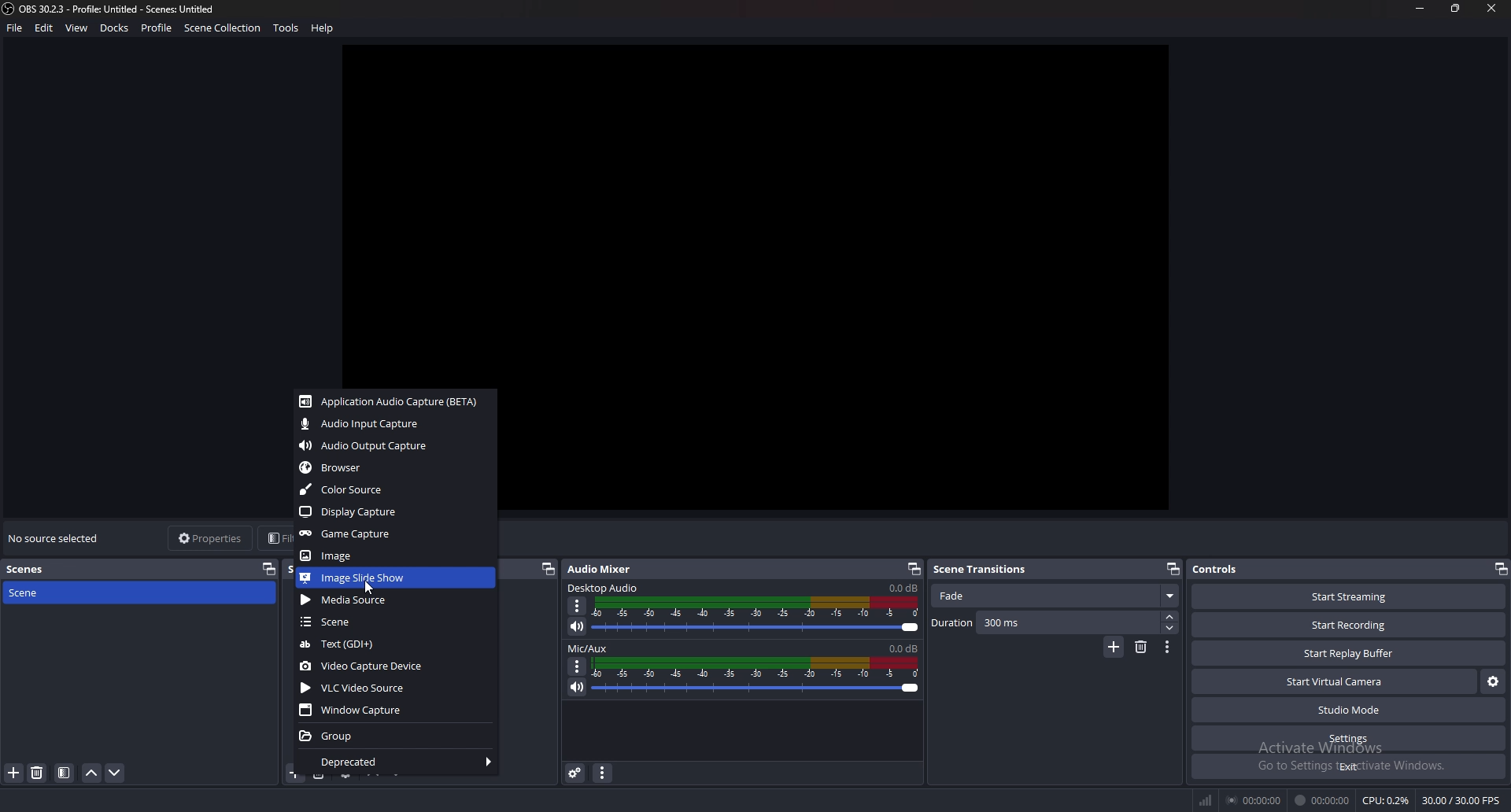 This screenshot has width=1511, height=812. Describe the element at coordinates (398, 666) in the screenshot. I see `video capture device` at that location.